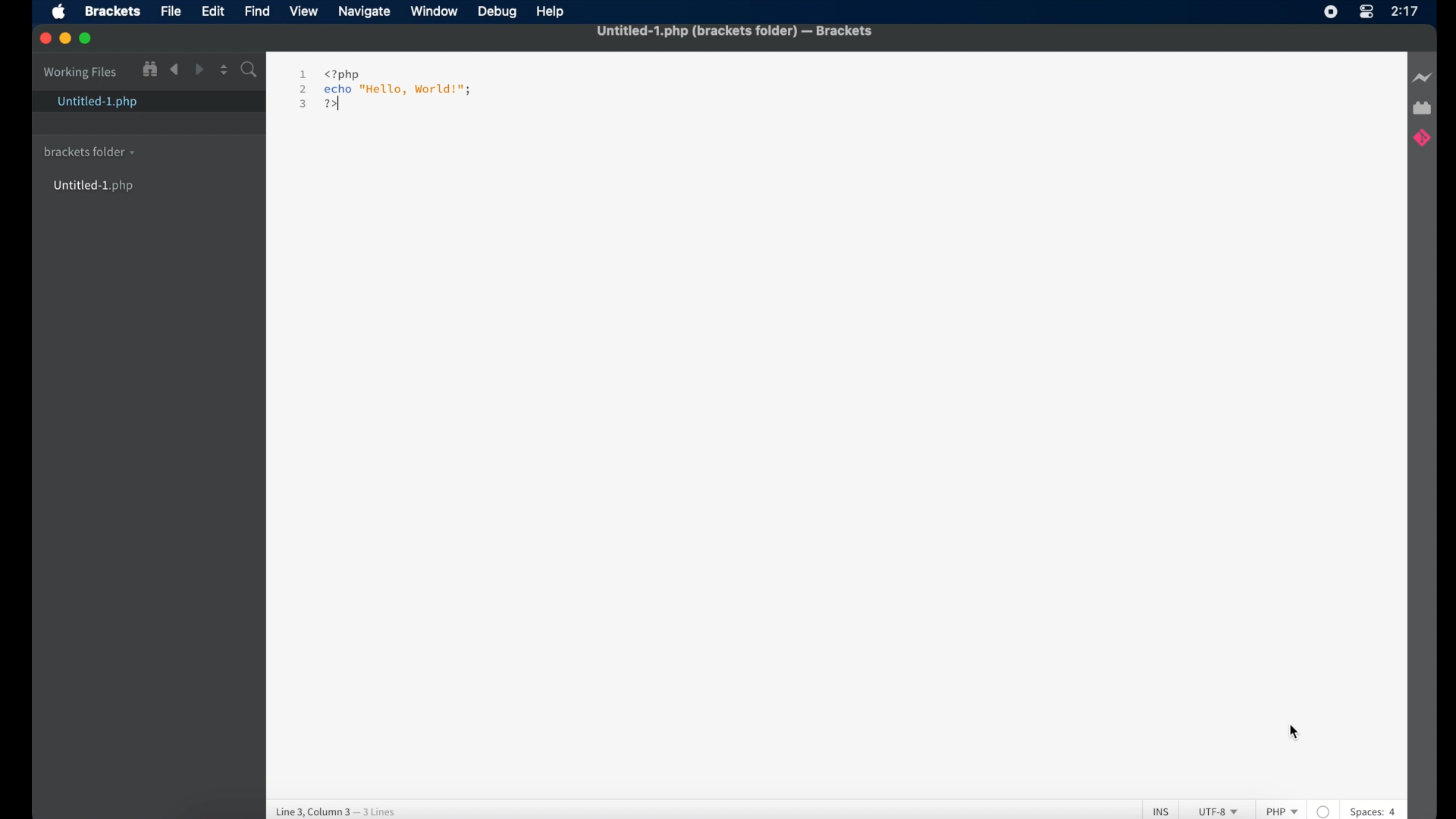  Describe the element at coordinates (65, 39) in the screenshot. I see `minimize` at that location.